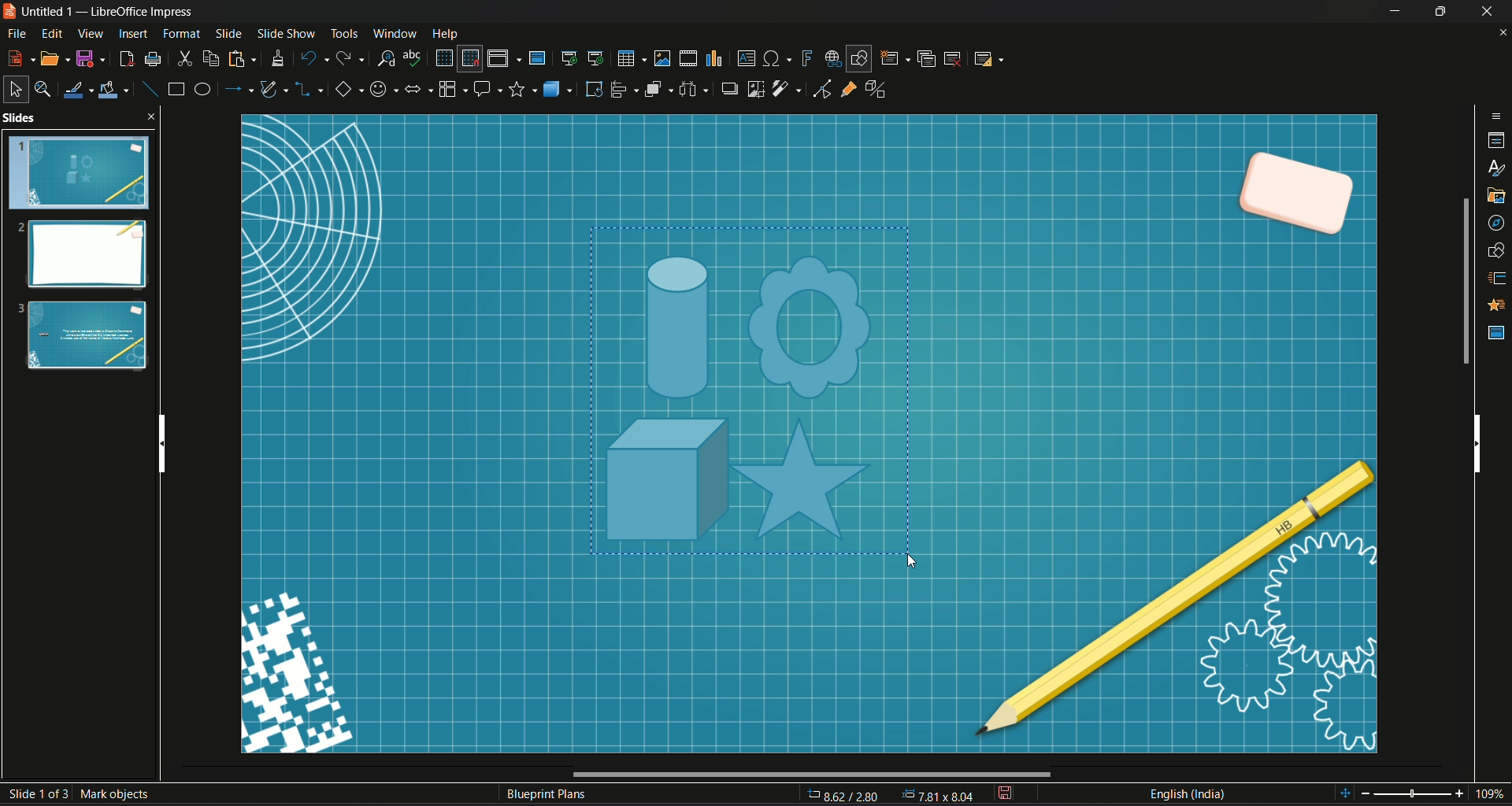 The height and width of the screenshot is (806, 1512). I want to click on basic shape, so click(347, 91).